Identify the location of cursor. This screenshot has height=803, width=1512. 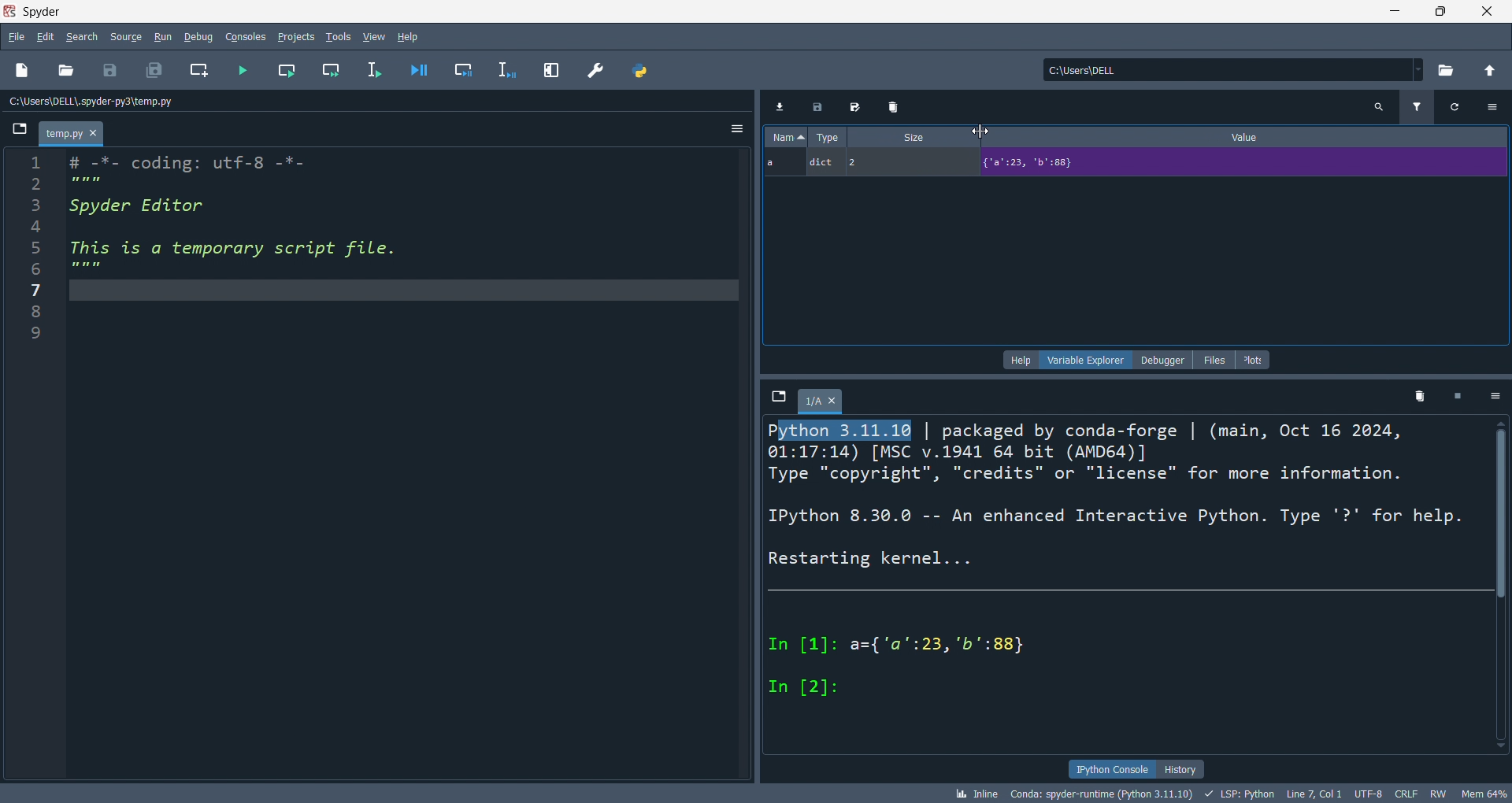
(982, 130).